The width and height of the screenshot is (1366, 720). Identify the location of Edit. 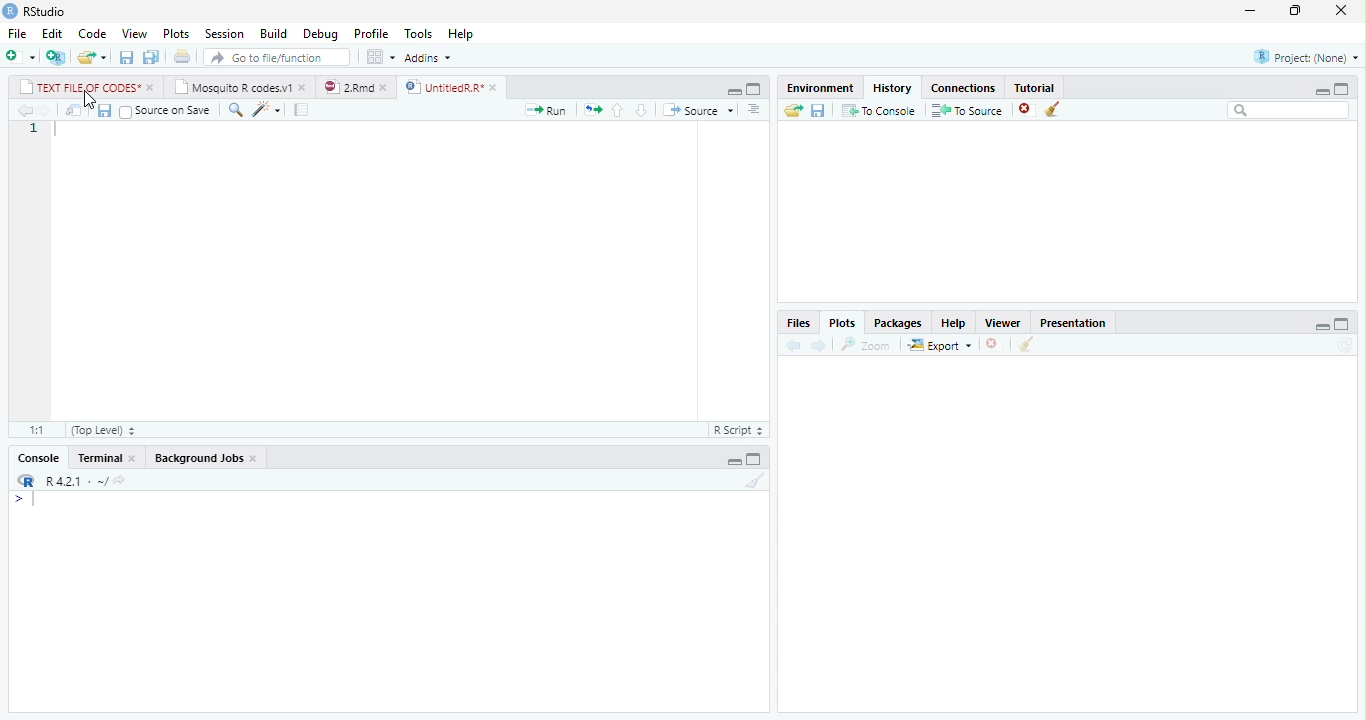
(52, 34).